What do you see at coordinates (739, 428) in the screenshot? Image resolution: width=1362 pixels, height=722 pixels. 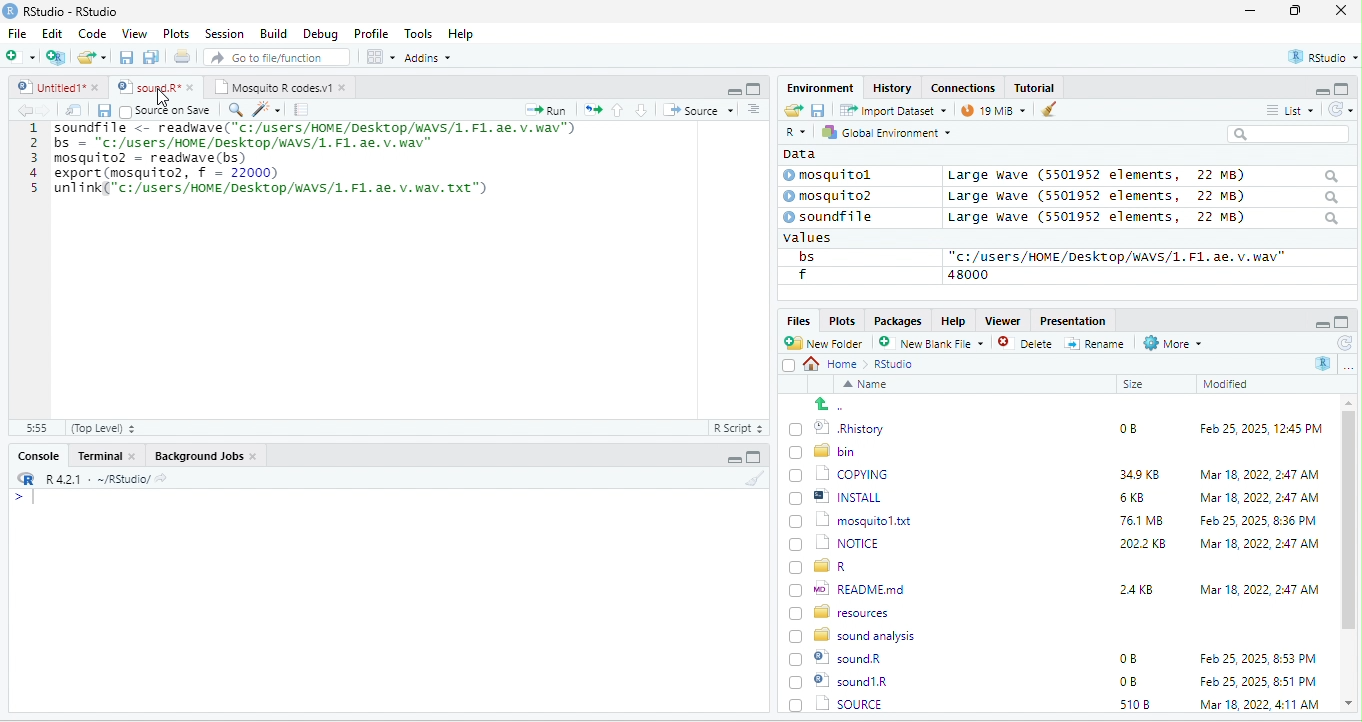 I see `R Script 5` at bounding box center [739, 428].